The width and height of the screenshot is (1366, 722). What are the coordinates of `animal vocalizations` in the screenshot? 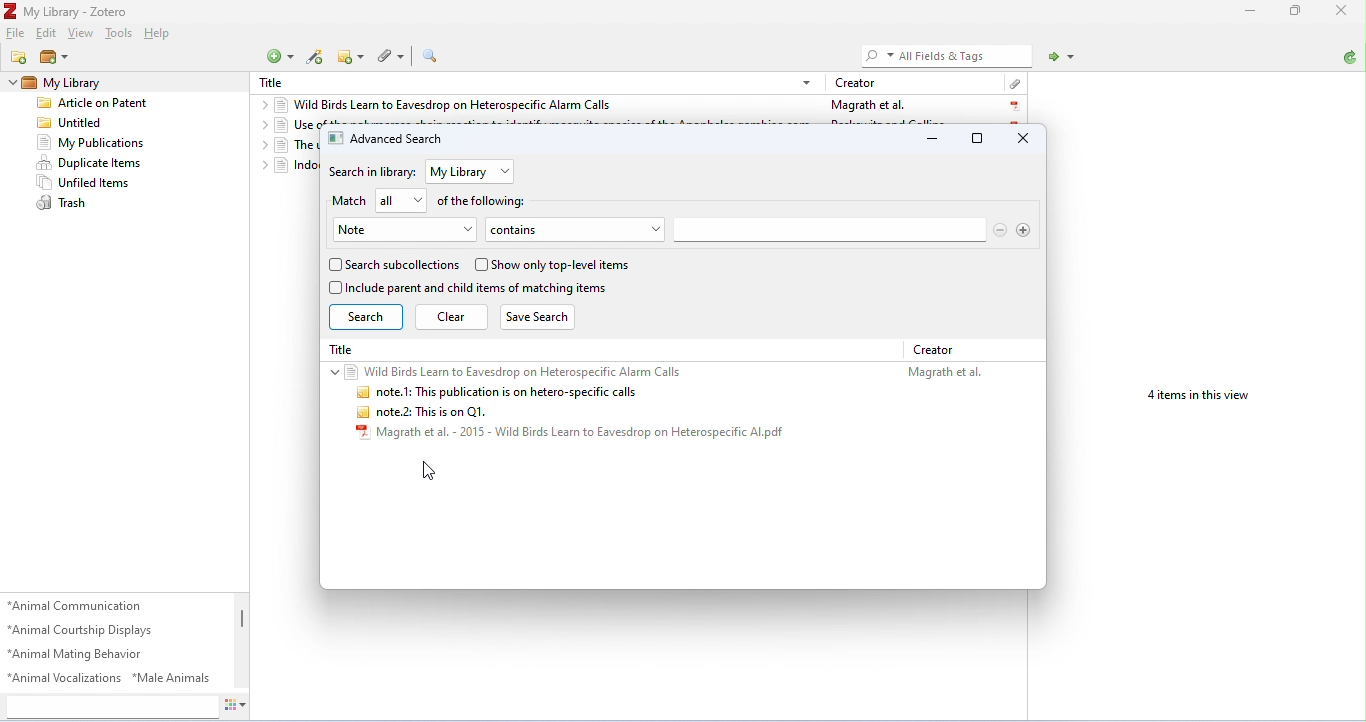 It's located at (65, 677).